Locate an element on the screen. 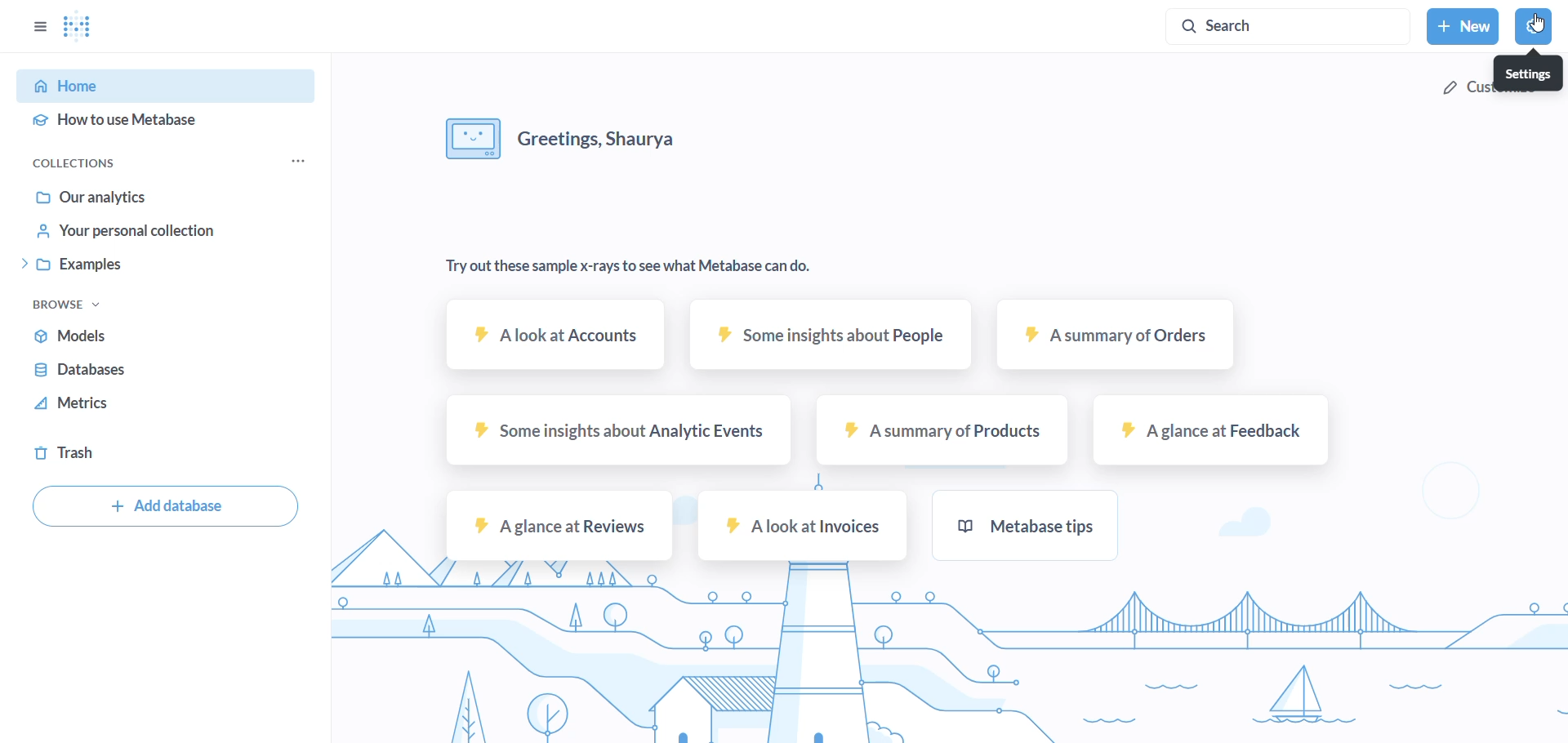  some insights about Analytic events sample is located at coordinates (613, 433).